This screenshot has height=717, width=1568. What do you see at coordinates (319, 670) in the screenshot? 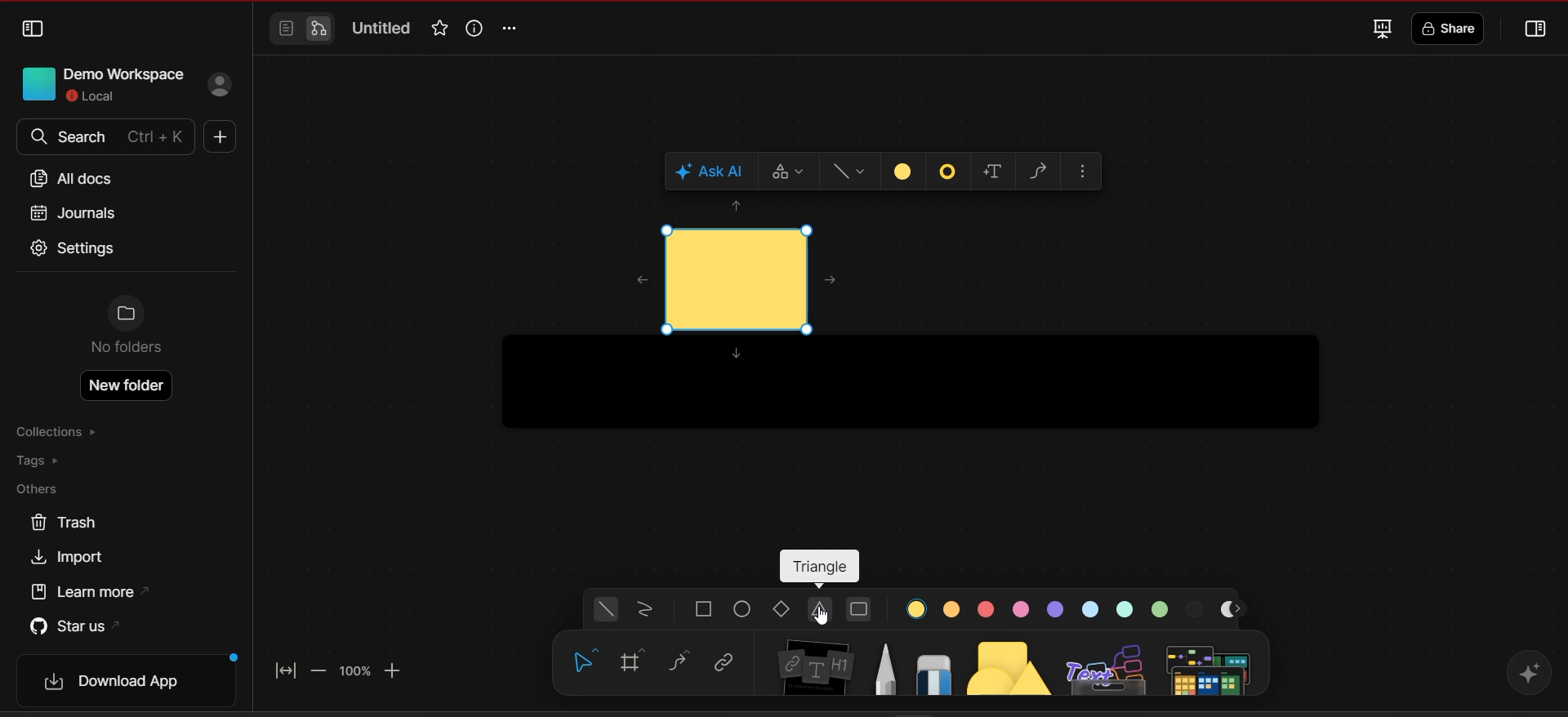
I see `zoom out` at bounding box center [319, 670].